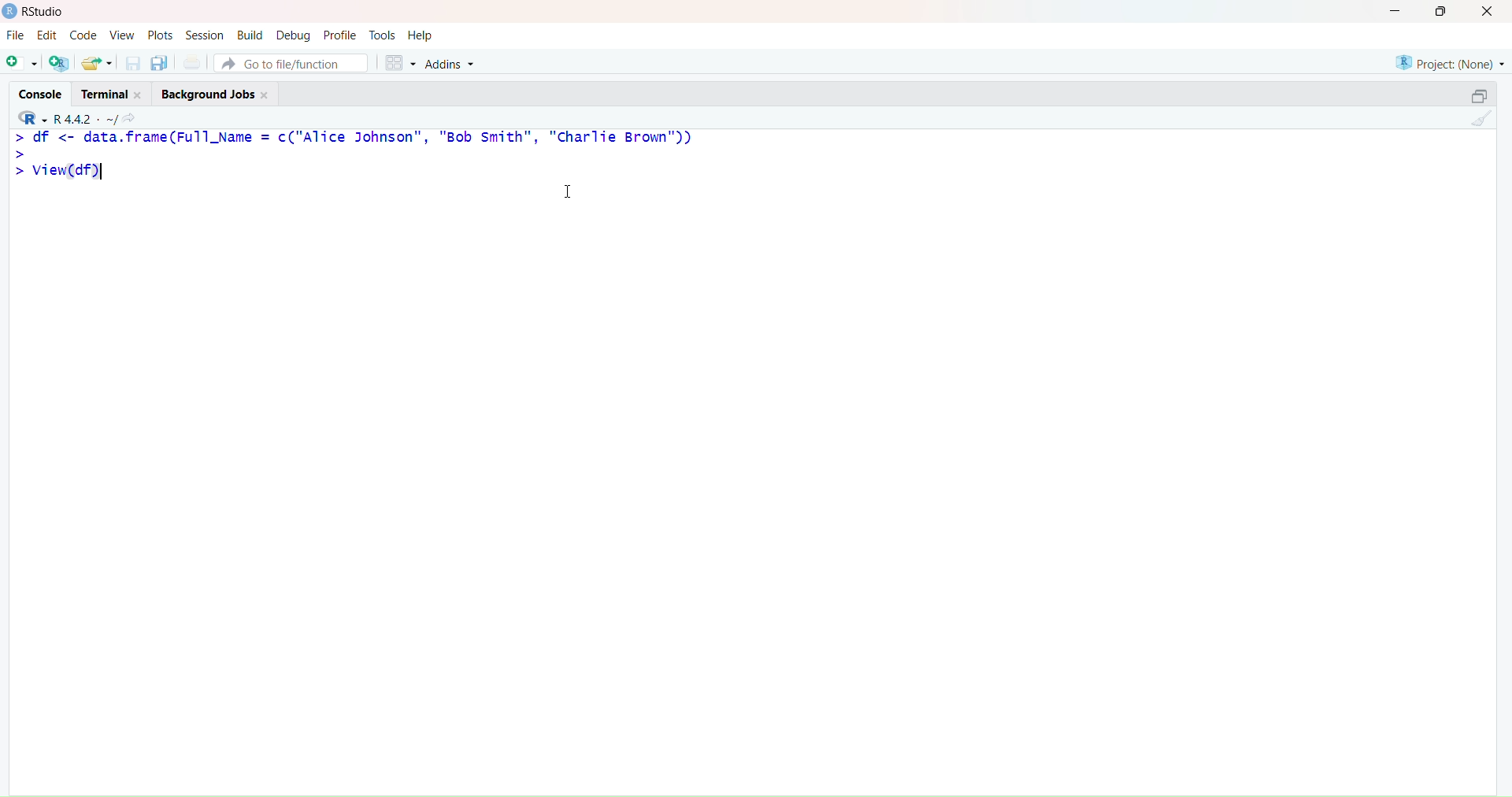 Image resolution: width=1512 pixels, height=797 pixels. Describe the element at coordinates (383, 34) in the screenshot. I see `Tools` at that location.